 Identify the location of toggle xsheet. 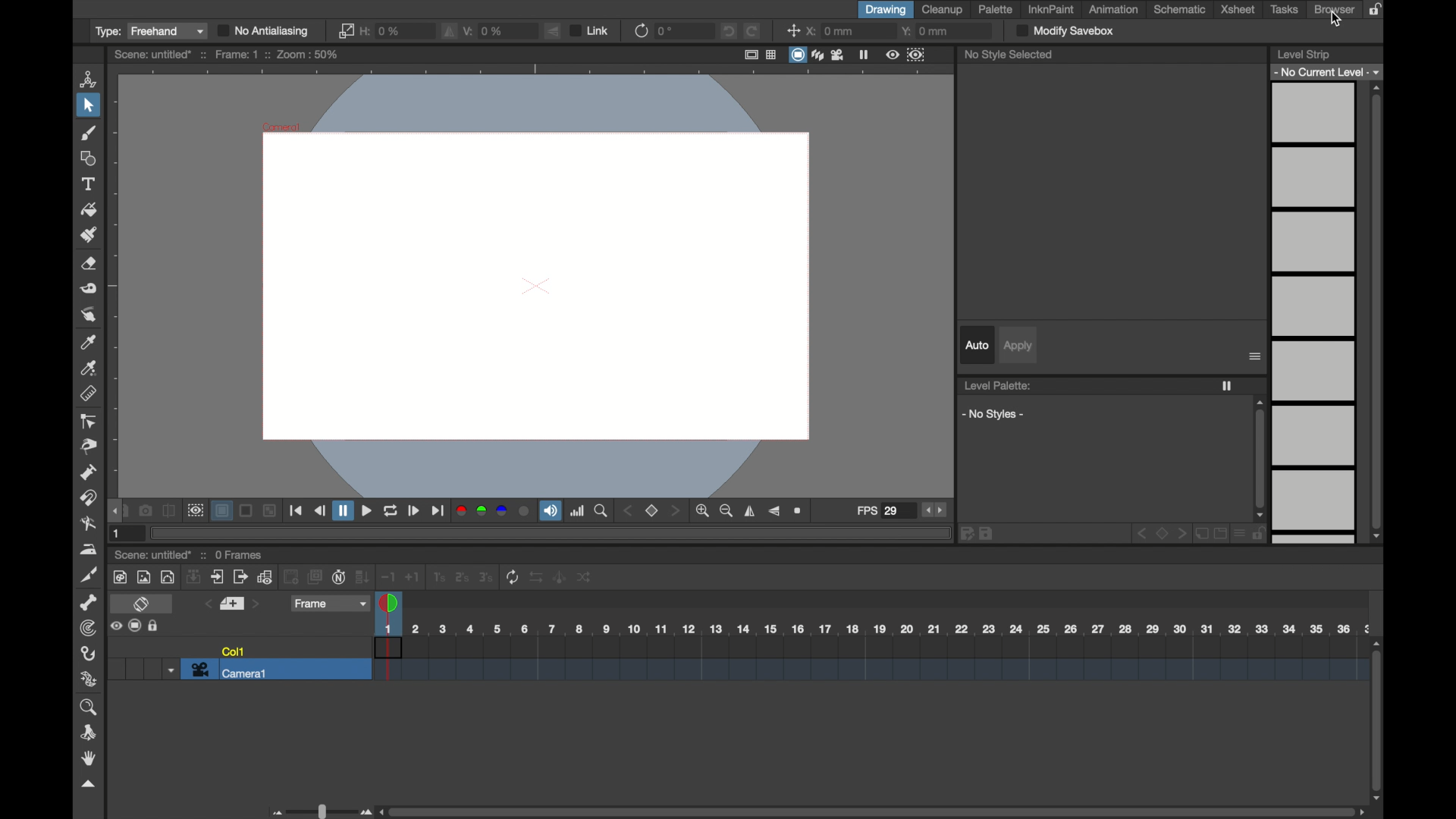
(141, 604).